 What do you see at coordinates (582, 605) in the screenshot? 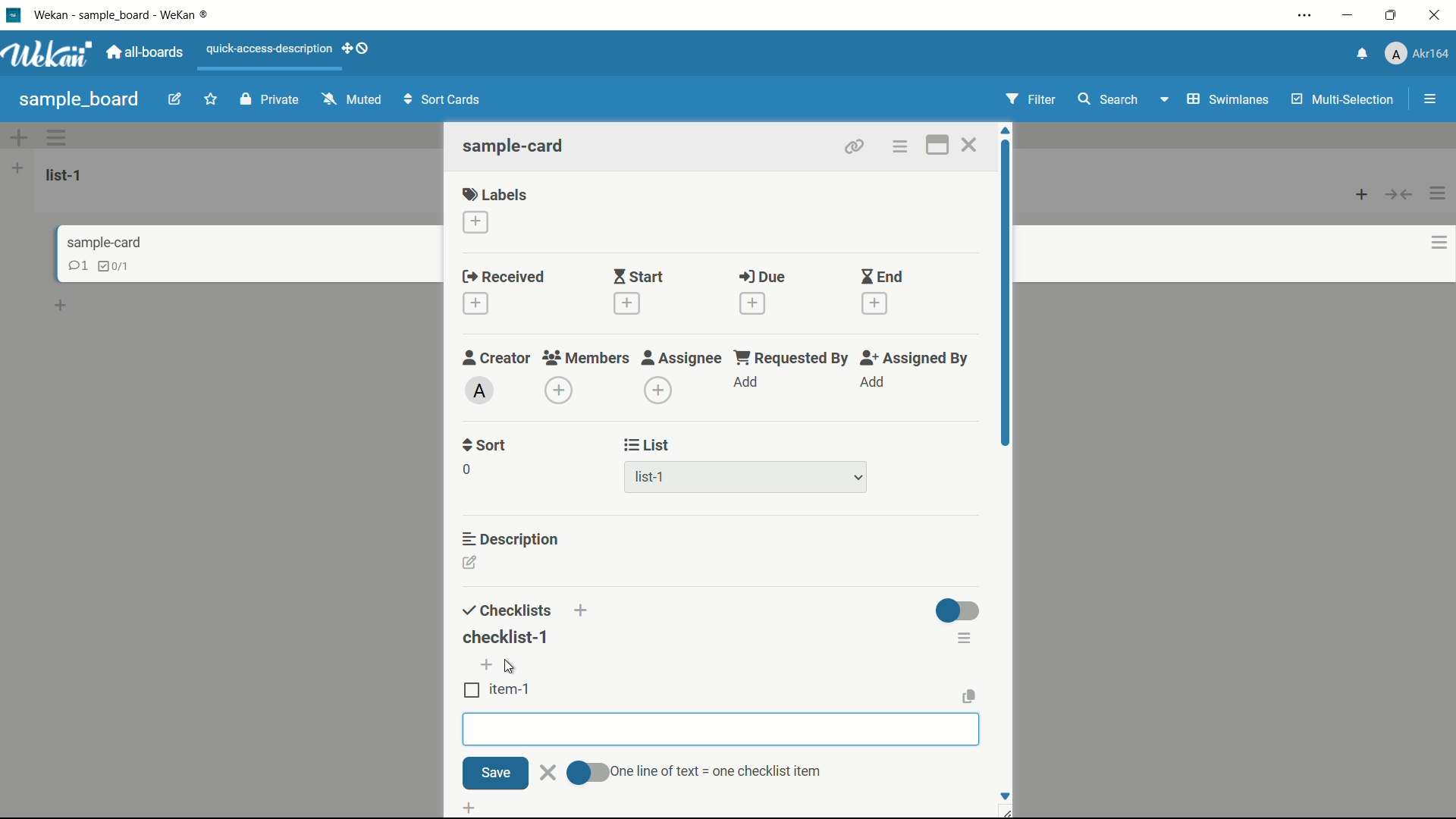
I see `add` at bounding box center [582, 605].